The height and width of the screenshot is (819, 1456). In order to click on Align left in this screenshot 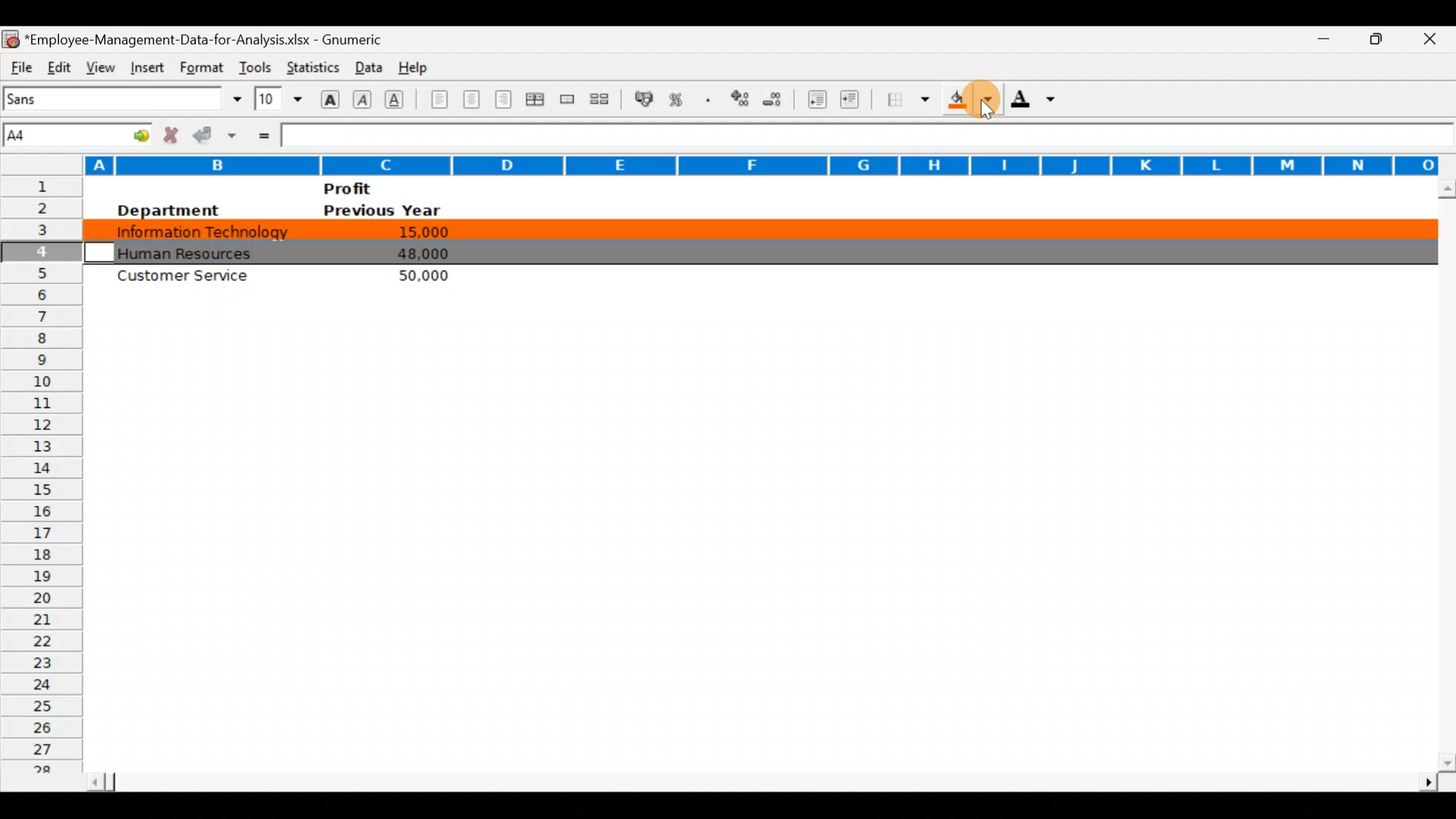, I will do `click(438, 99)`.